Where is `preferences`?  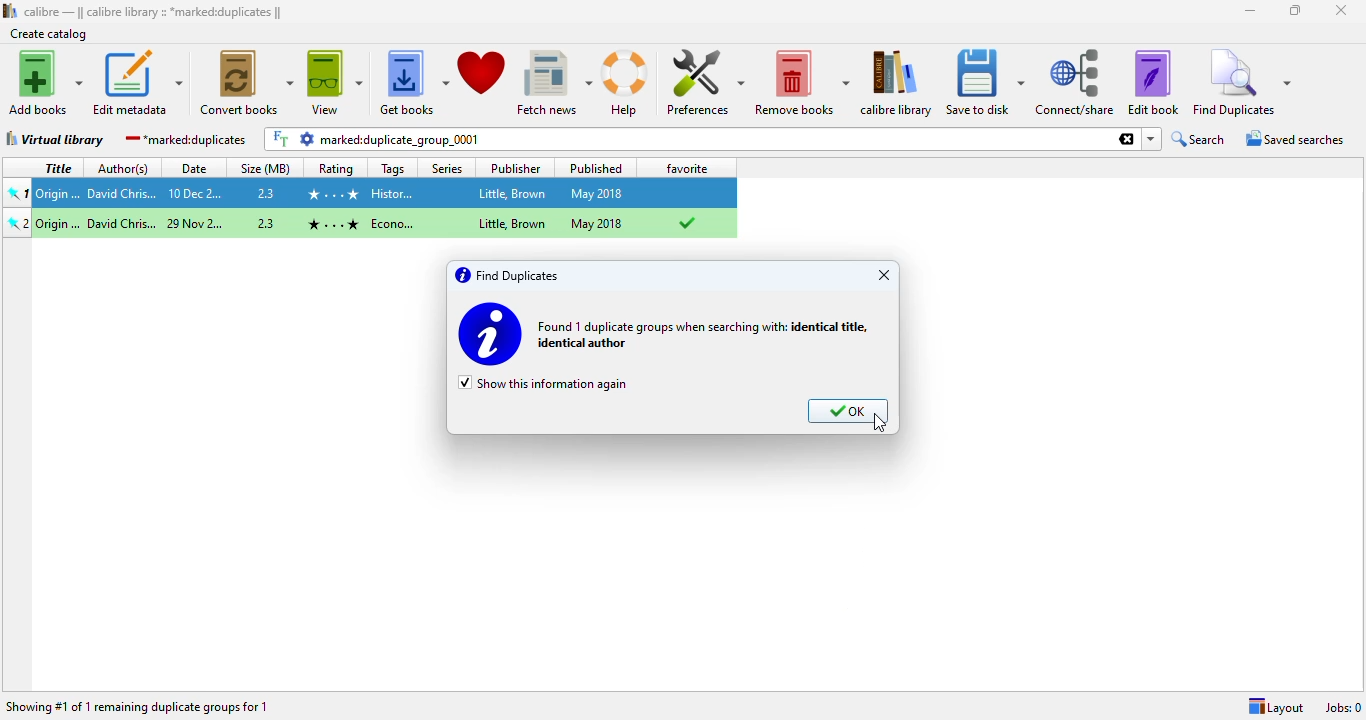
preferences is located at coordinates (704, 82).